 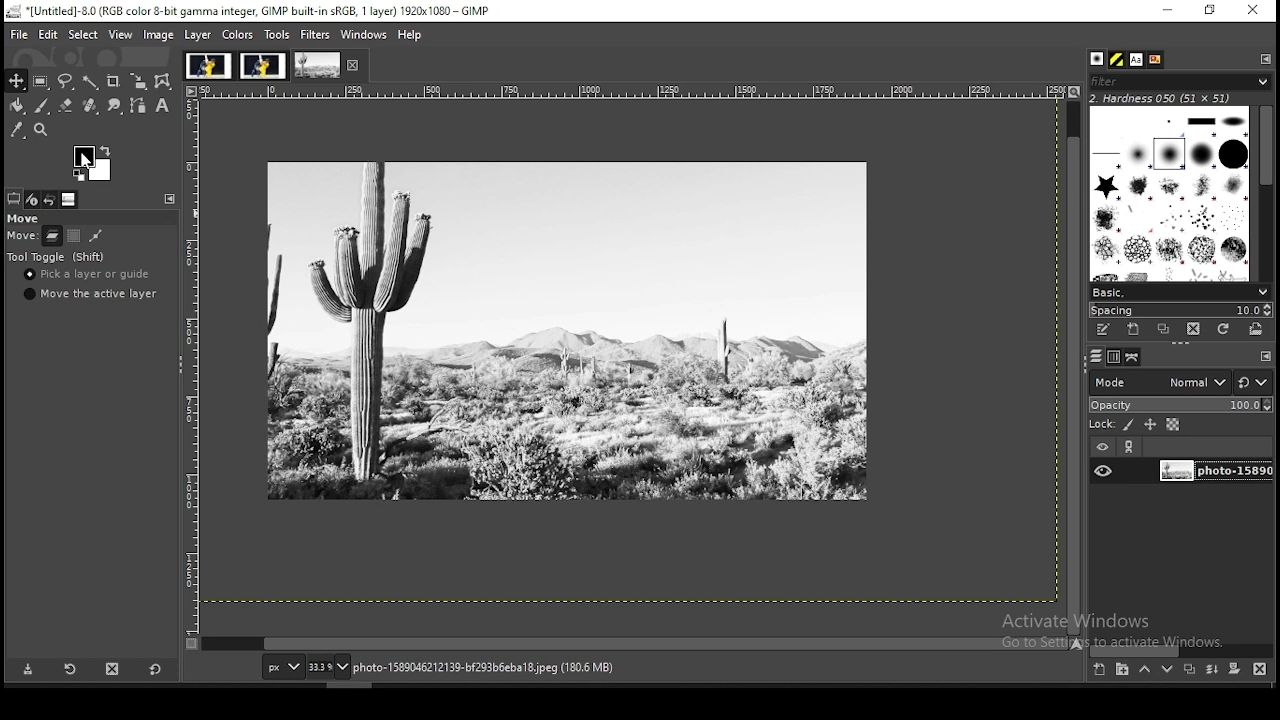 What do you see at coordinates (22, 218) in the screenshot?
I see `move` at bounding box center [22, 218].